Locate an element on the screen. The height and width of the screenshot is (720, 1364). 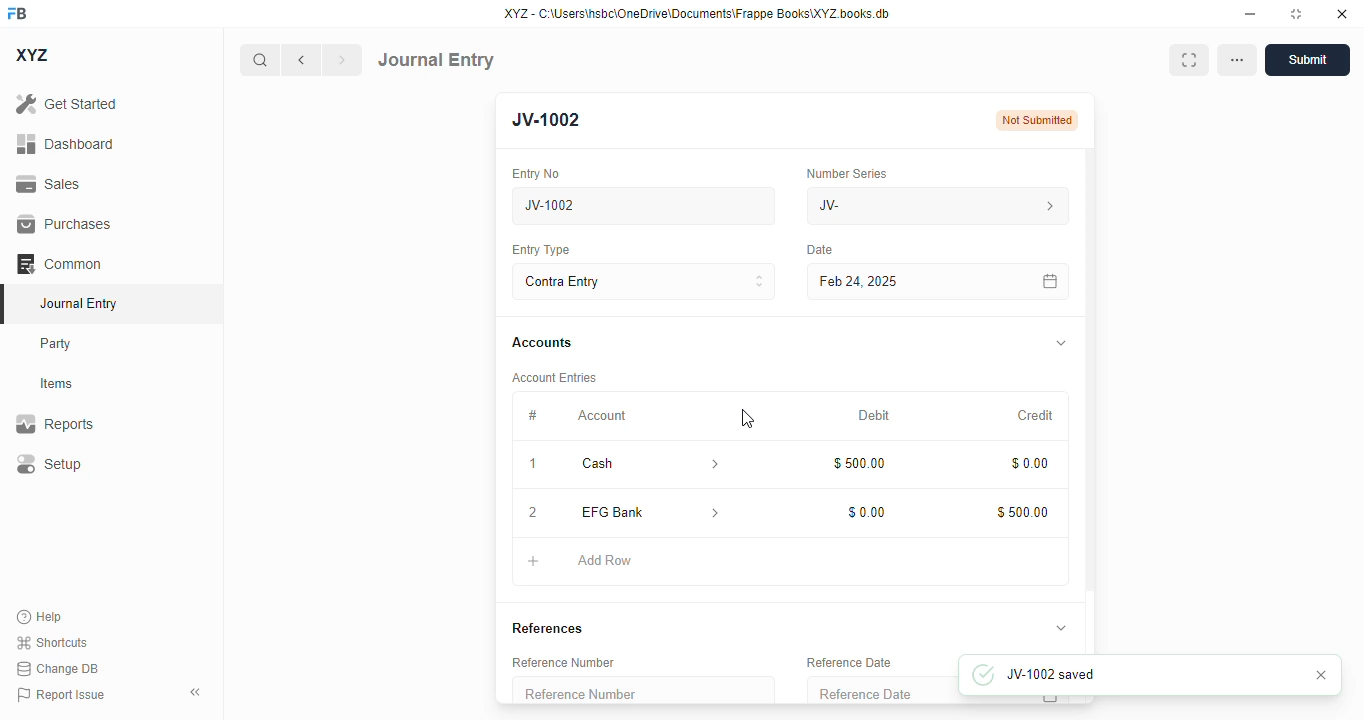
calendar icon is located at coordinates (1051, 281).